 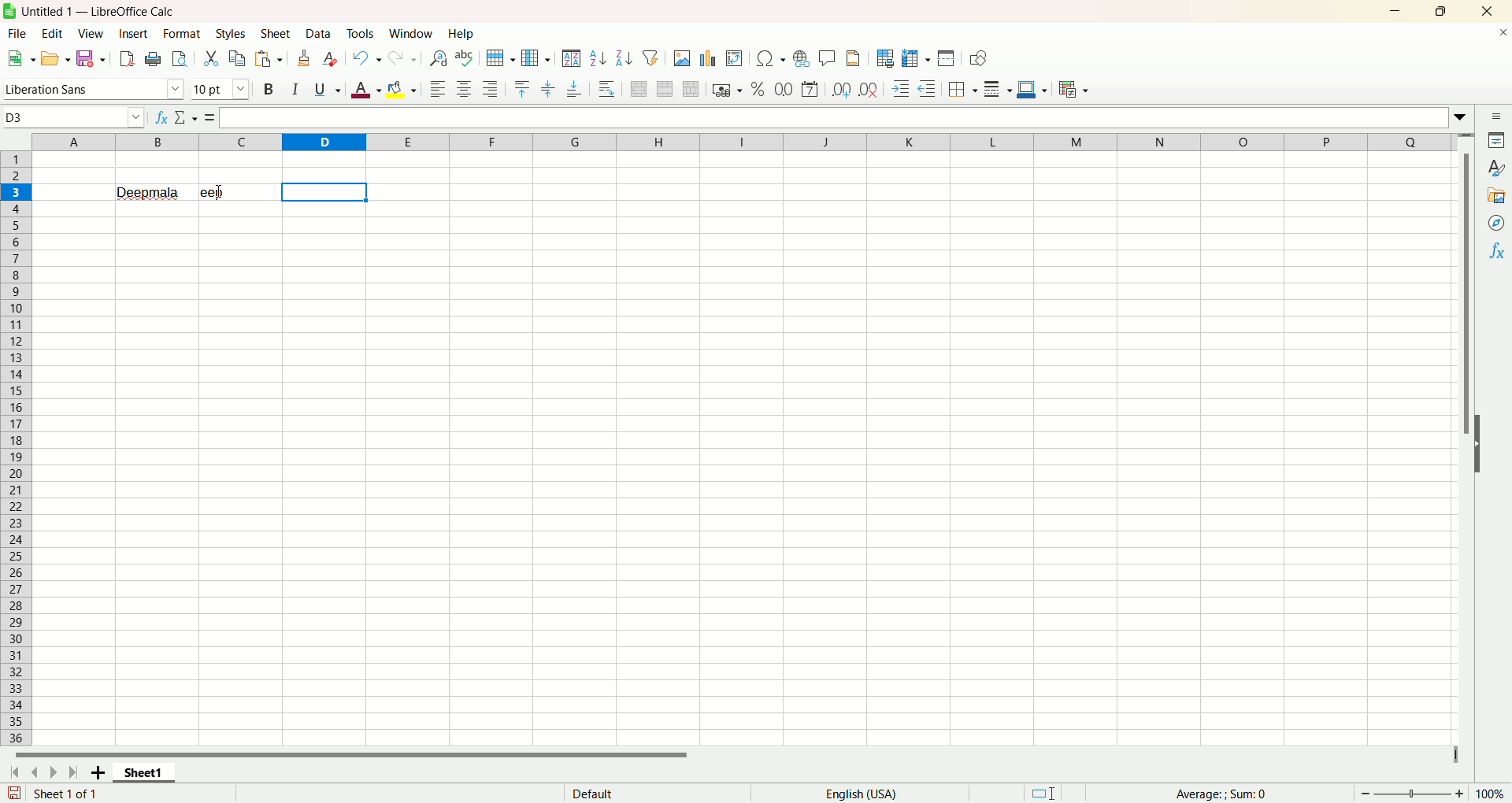 I want to click on Standard selection, so click(x=1043, y=793).